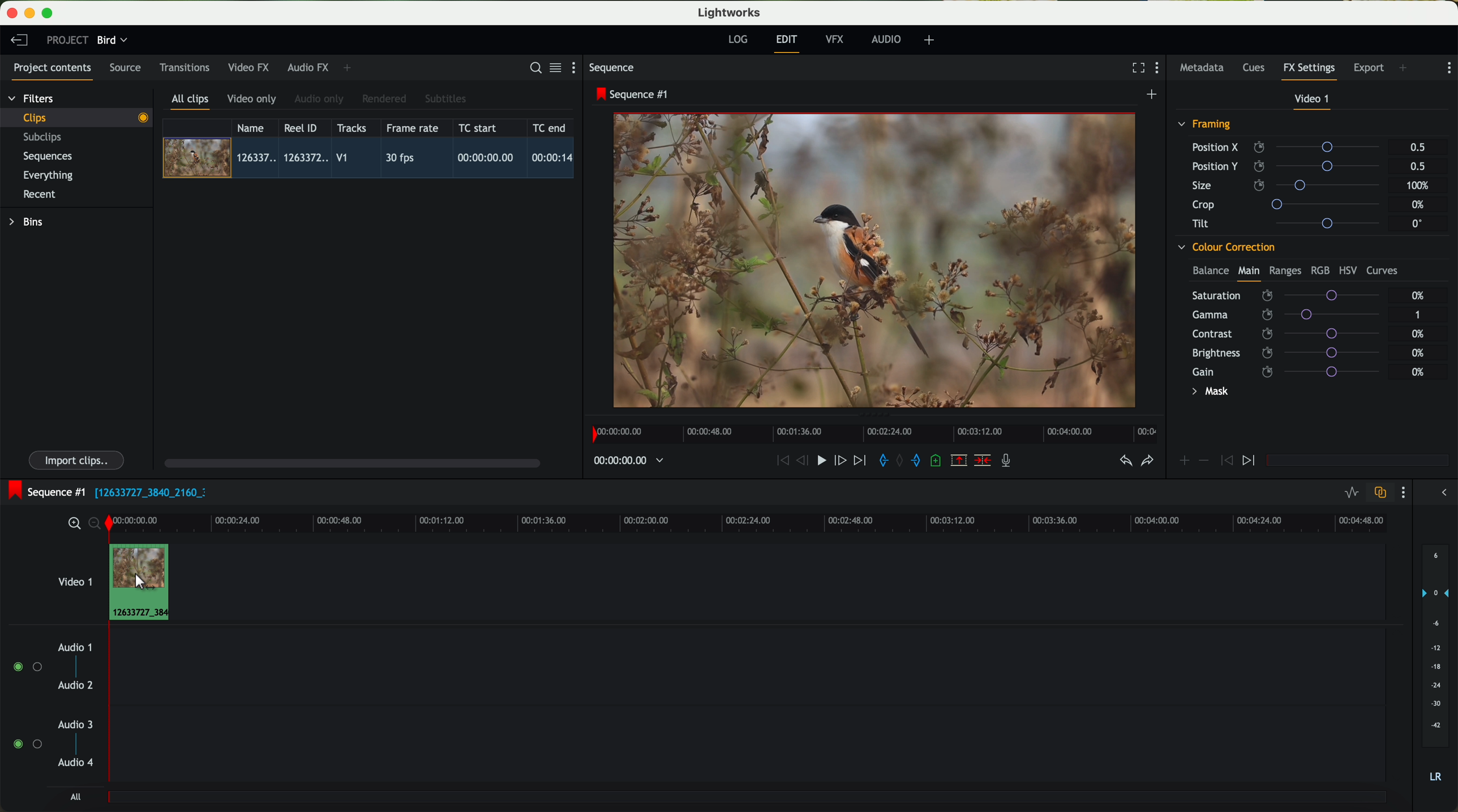 The image size is (1458, 812). What do you see at coordinates (921, 459) in the screenshot?
I see `add 'out' mark` at bounding box center [921, 459].